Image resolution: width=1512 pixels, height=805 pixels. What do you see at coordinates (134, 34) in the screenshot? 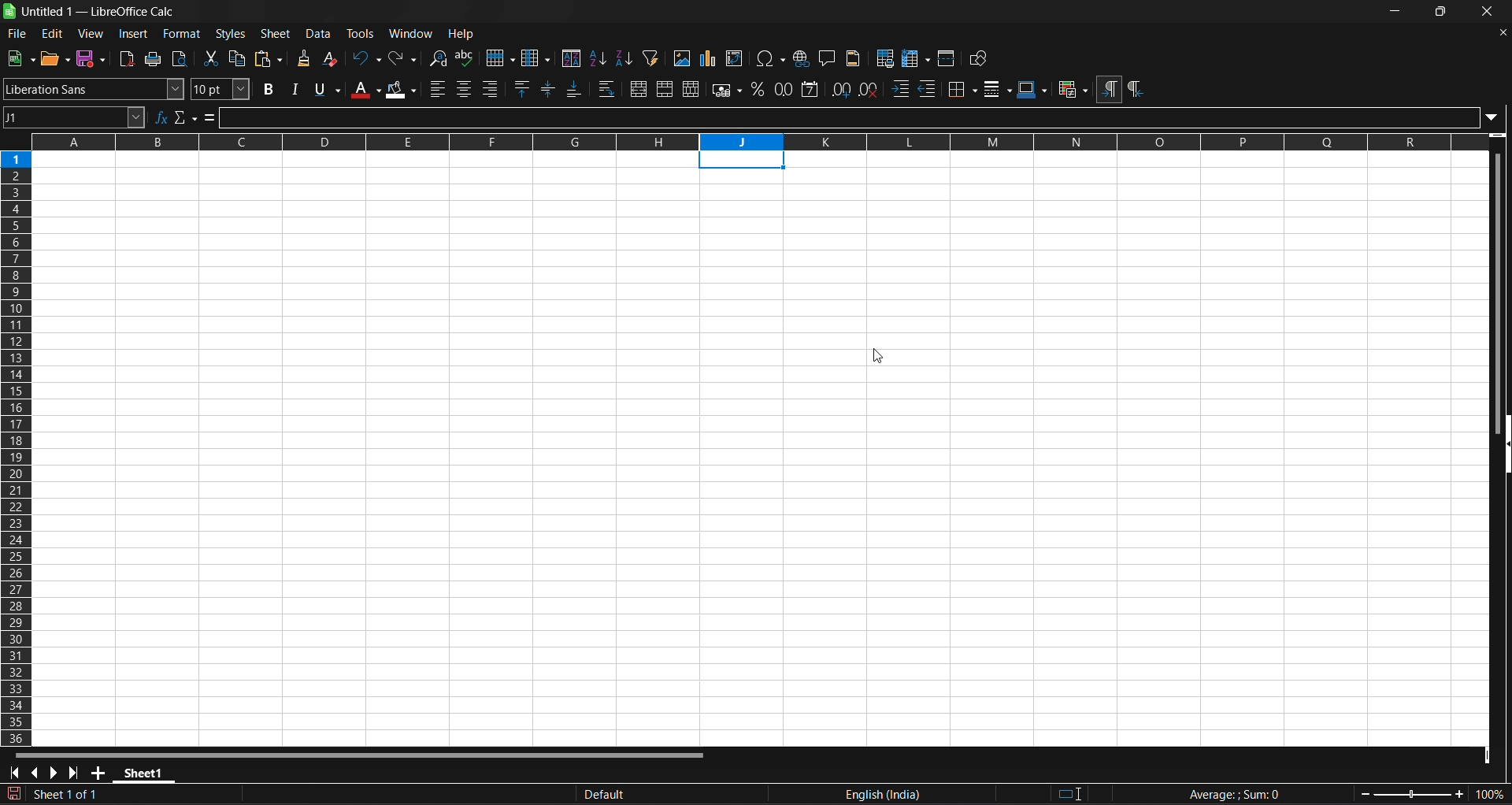
I see `insert` at bounding box center [134, 34].